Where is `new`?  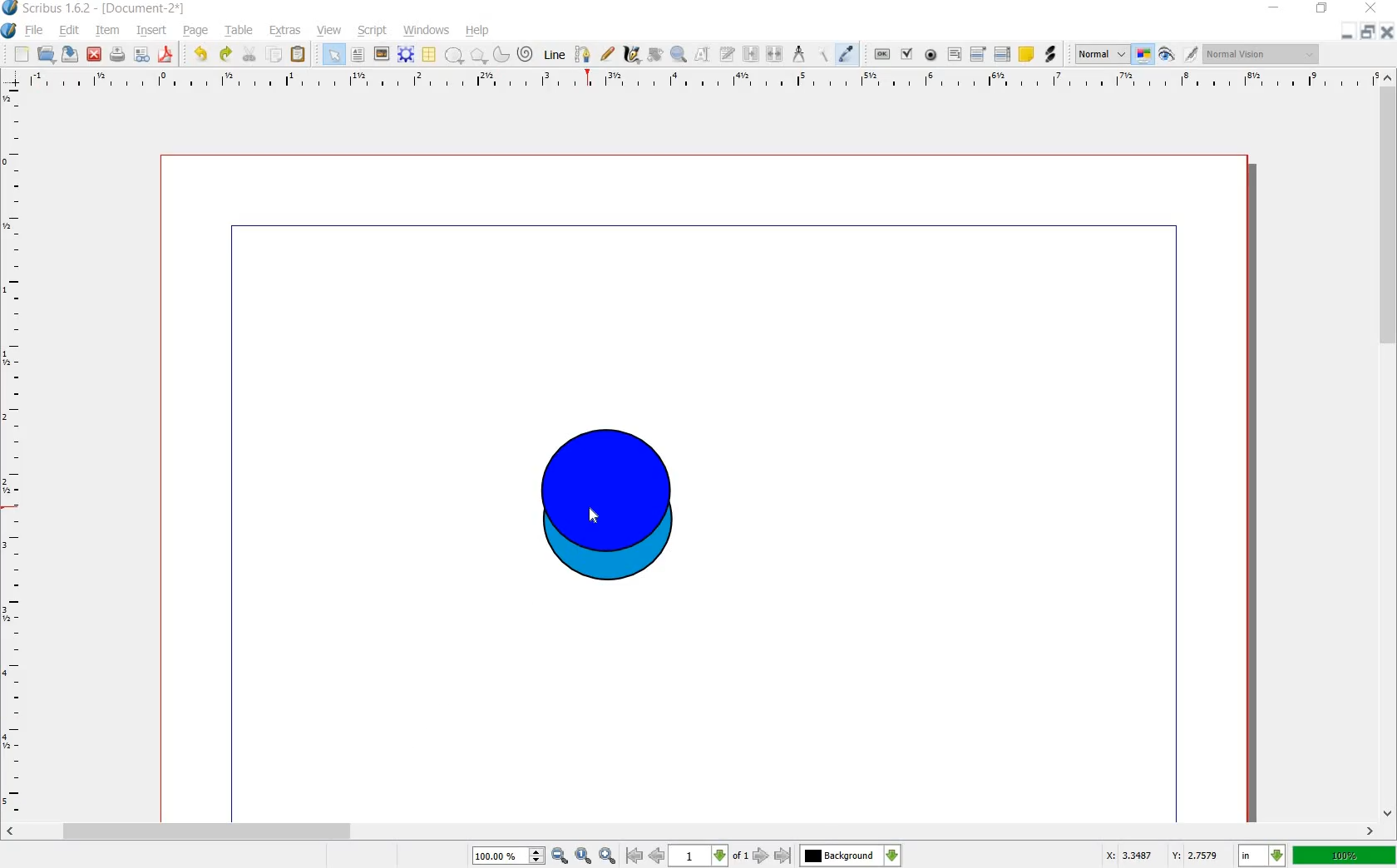 new is located at coordinates (22, 55).